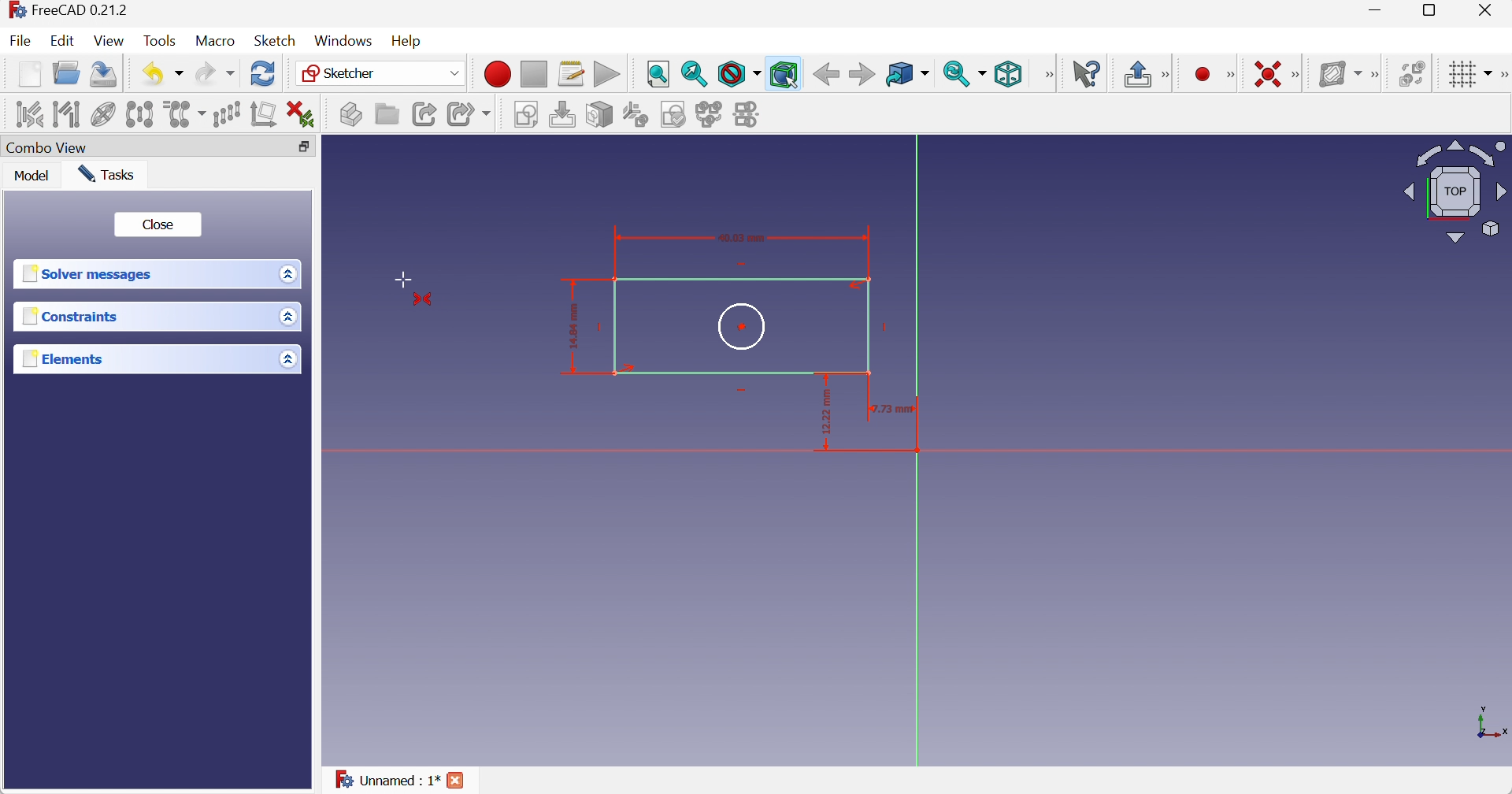 The height and width of the screenshot is (794, 1512). I want to click on Edit, so click(61, 40).